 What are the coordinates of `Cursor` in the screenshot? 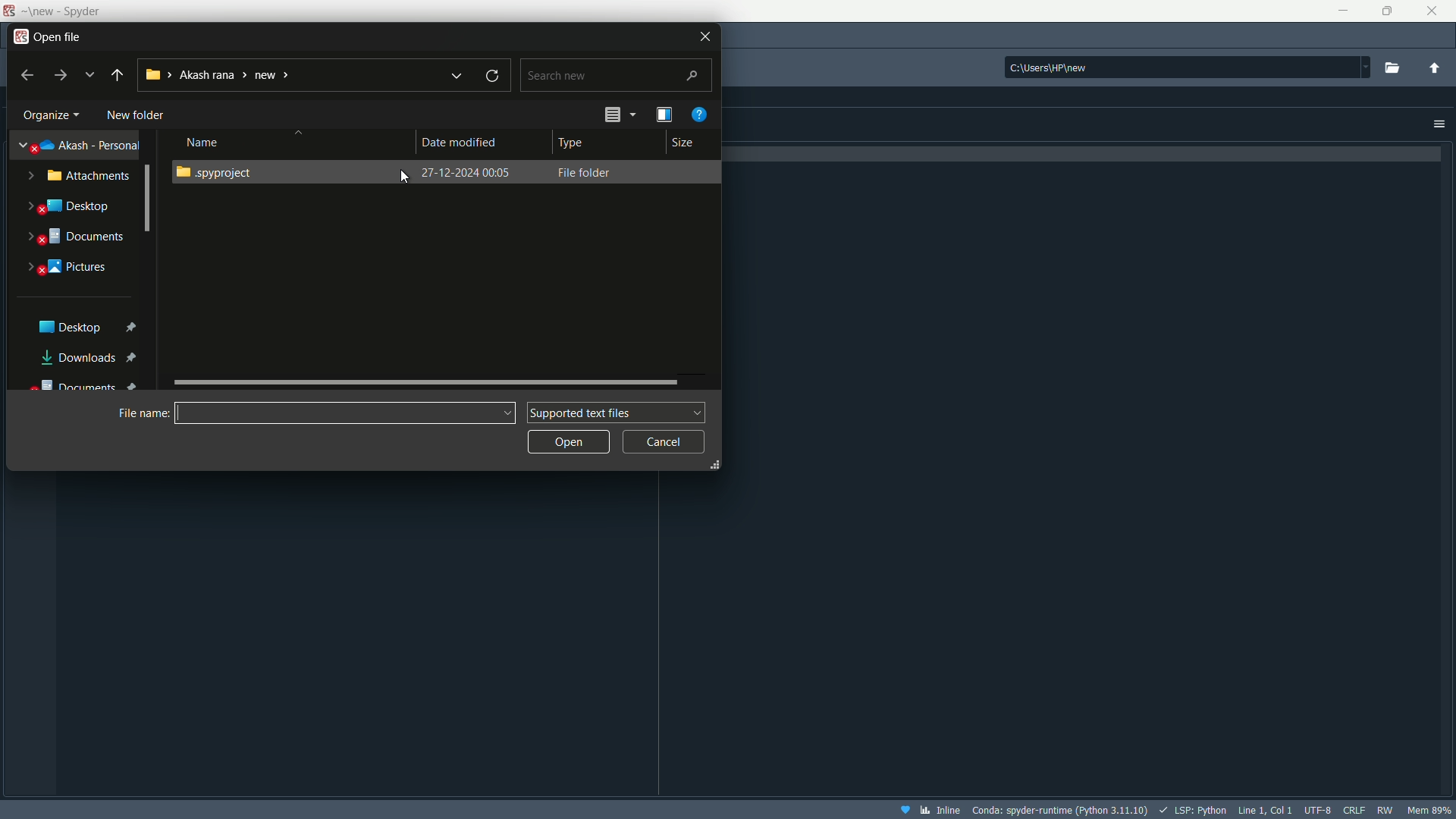 It's located at (403, 177).